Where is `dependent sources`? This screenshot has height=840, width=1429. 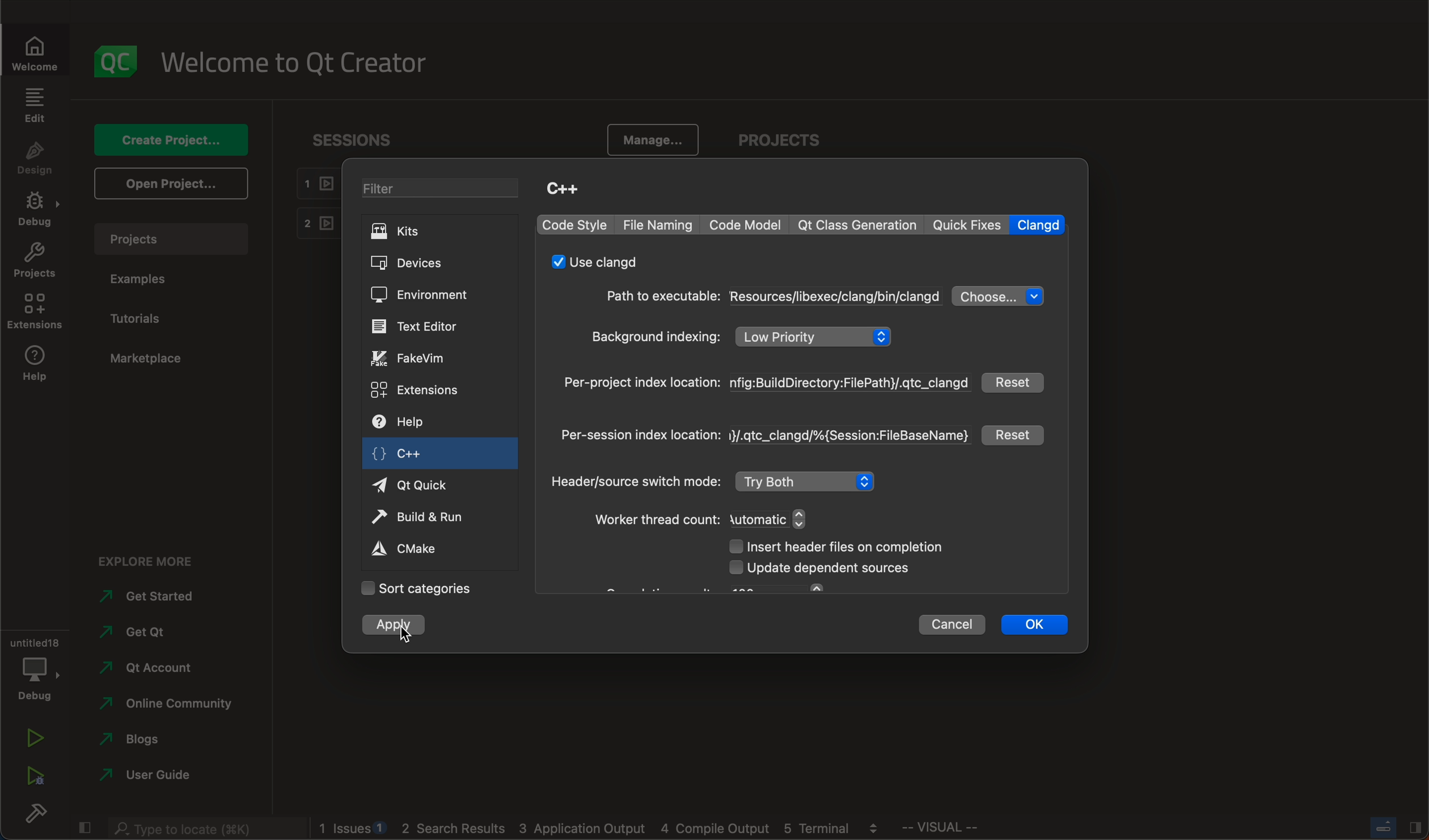
dependent sources is located at coordinates (822, 569).